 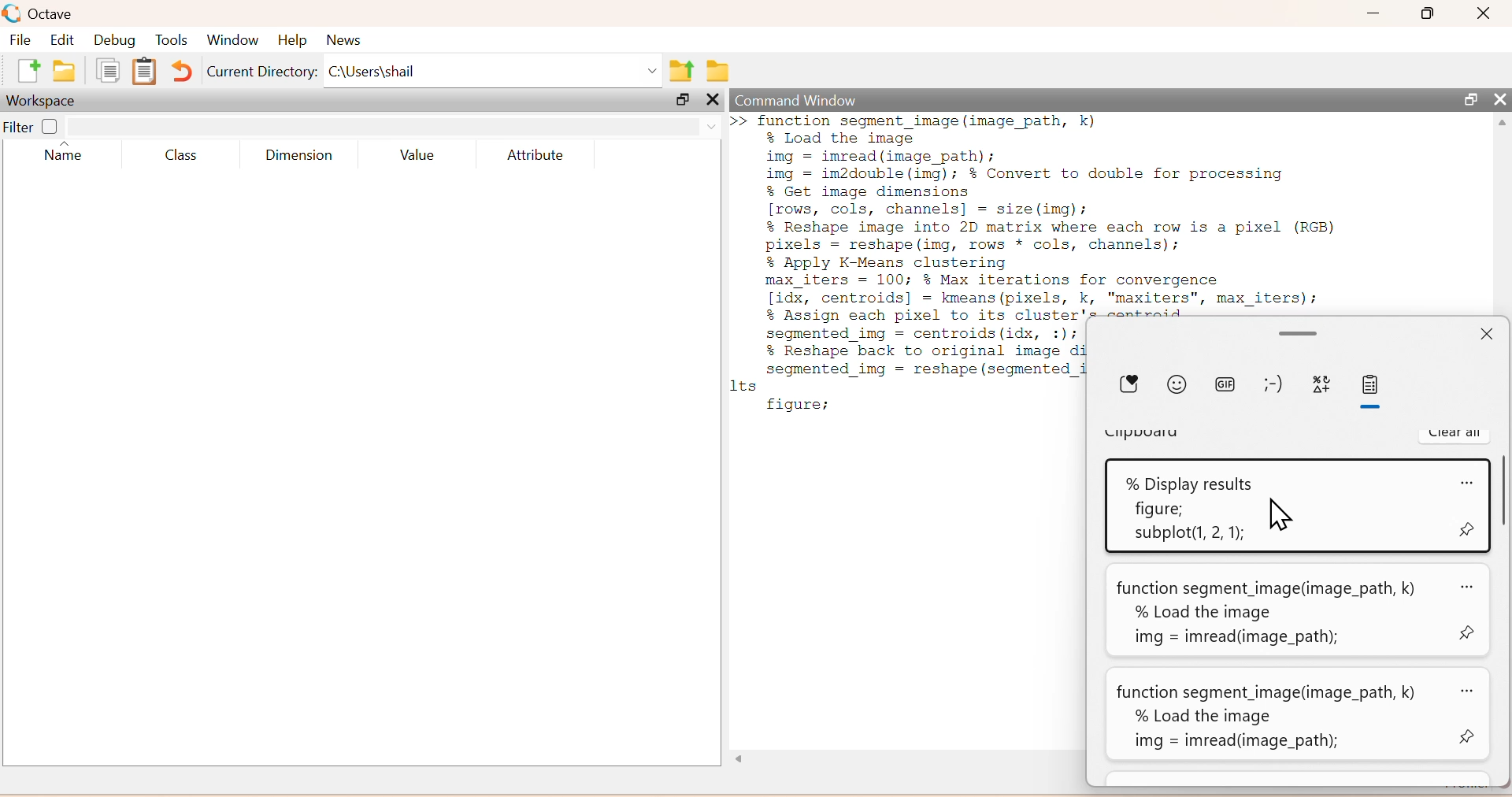 I want to click on C:\Users\shail , so click(x=495, y=74).